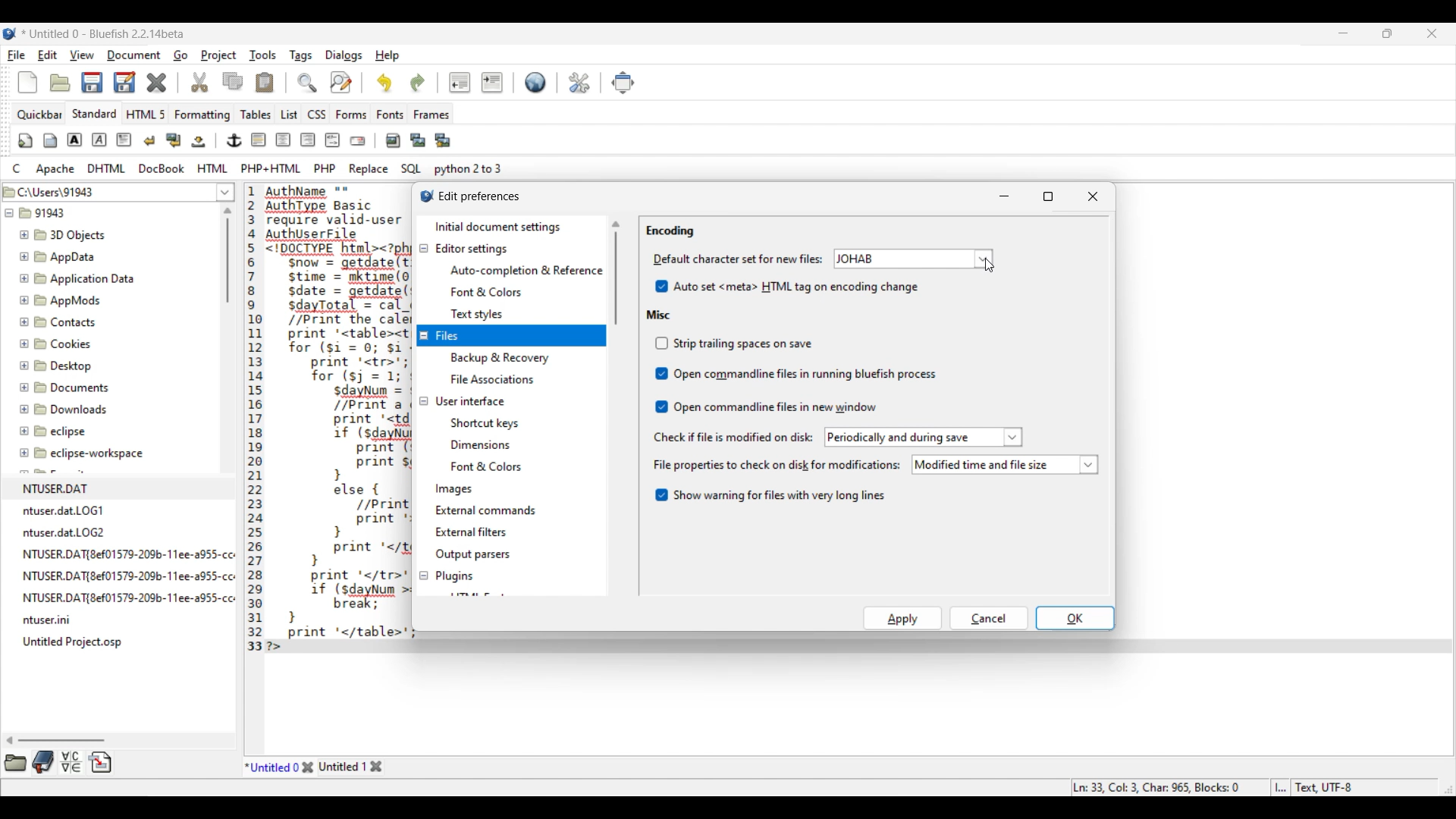 Image resolution: width=1456 pixels, height=819 pixels. I want to click on Tools menu, so click(263, 55).